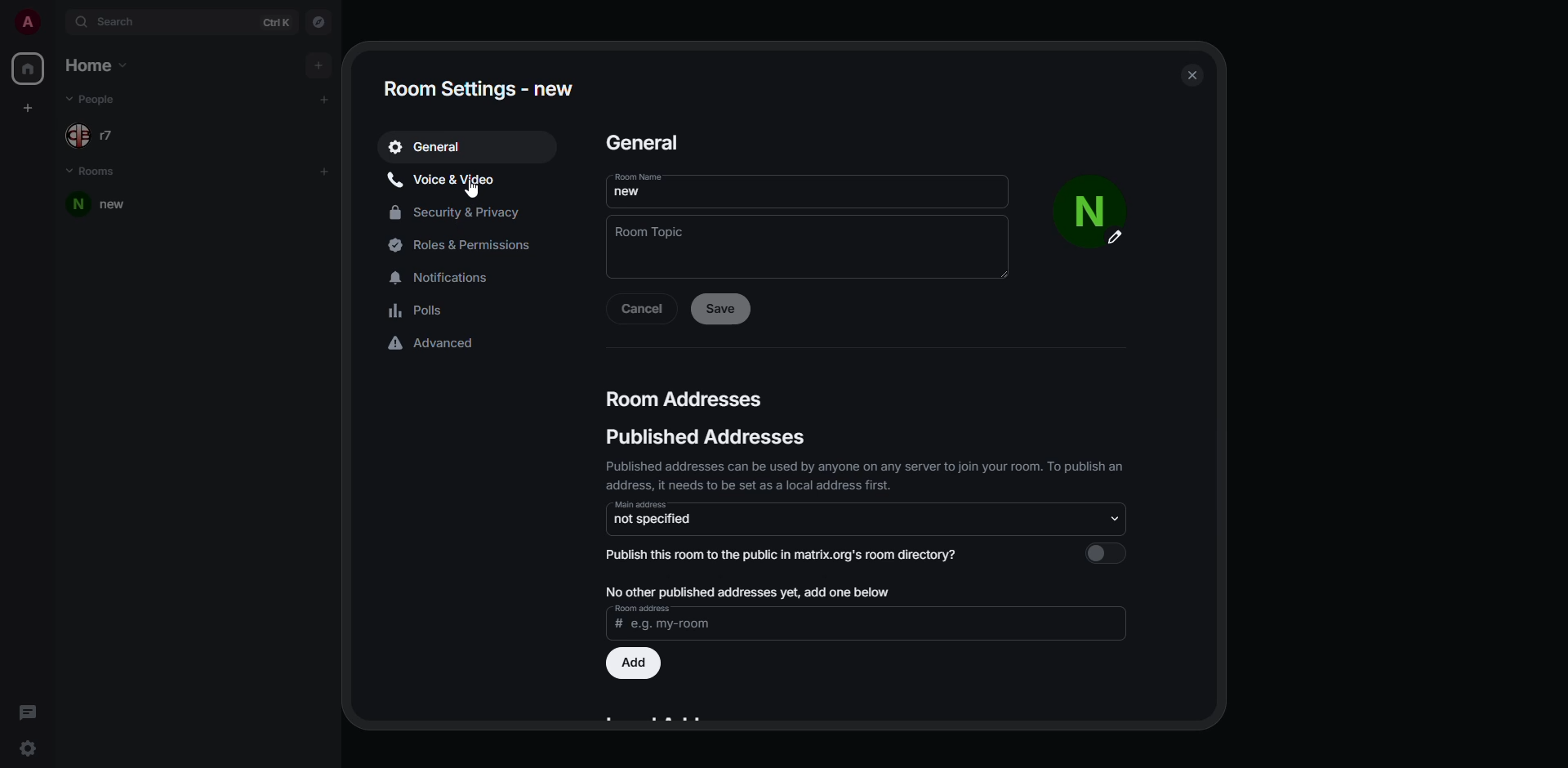  What do you see at coordinates (689, 398) in the screenshot?
I see `room addresses` at bounding box center [689, 398].